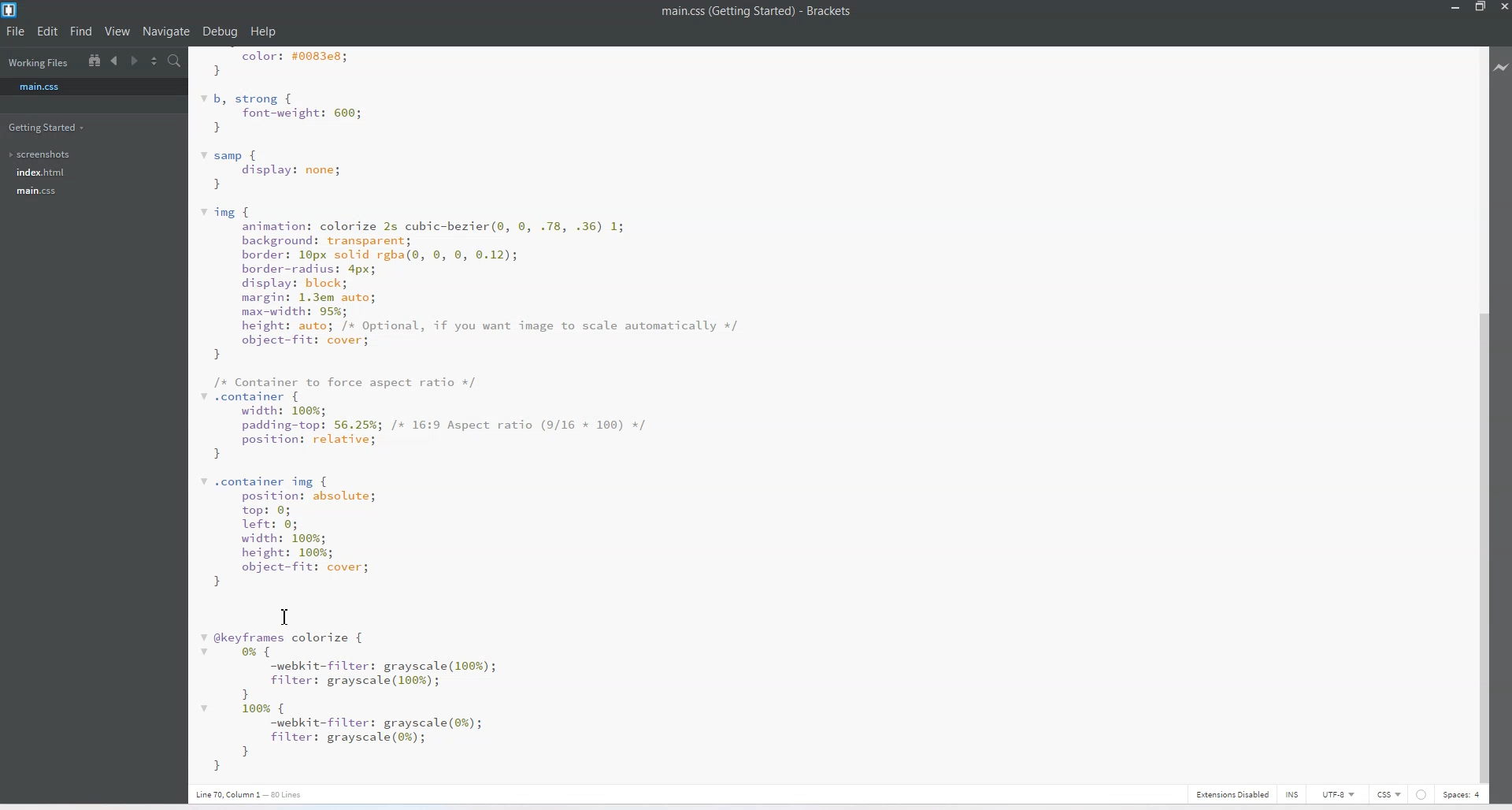 The image size is (1512, 810). Describe the element at coordinates (166, 32) in the screenshot. I see `Navigate` at that location.